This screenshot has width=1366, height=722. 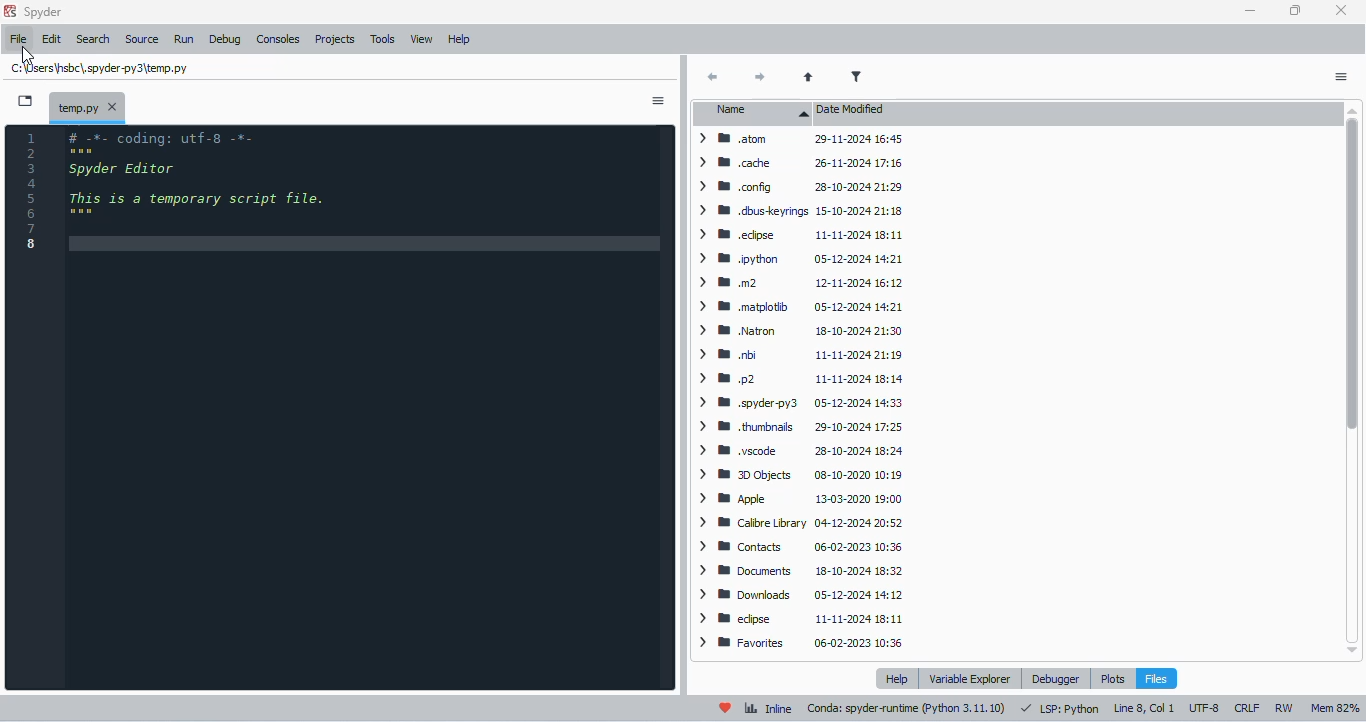 What do you see at coordinates (806, 77) in the screenshot?
I see `parent` at bounding box center [806, 77].